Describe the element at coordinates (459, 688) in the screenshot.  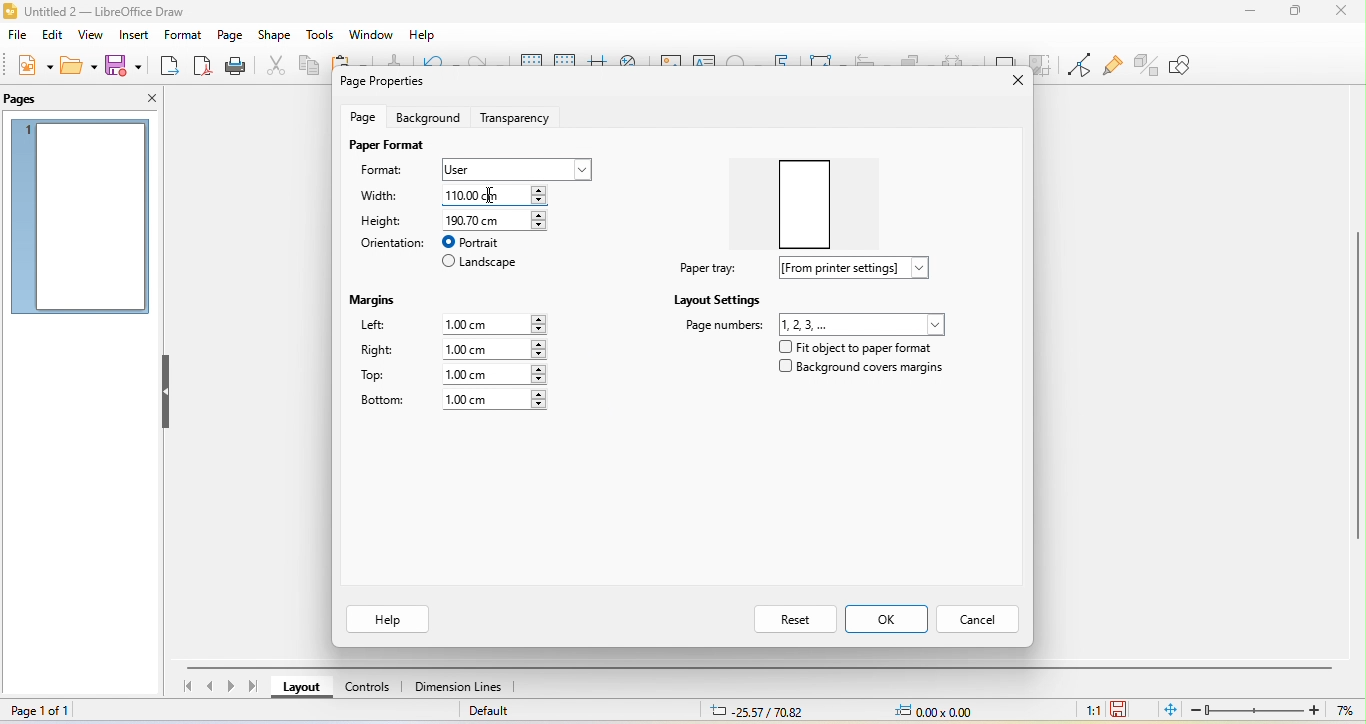
I see `dimension line` at that location.